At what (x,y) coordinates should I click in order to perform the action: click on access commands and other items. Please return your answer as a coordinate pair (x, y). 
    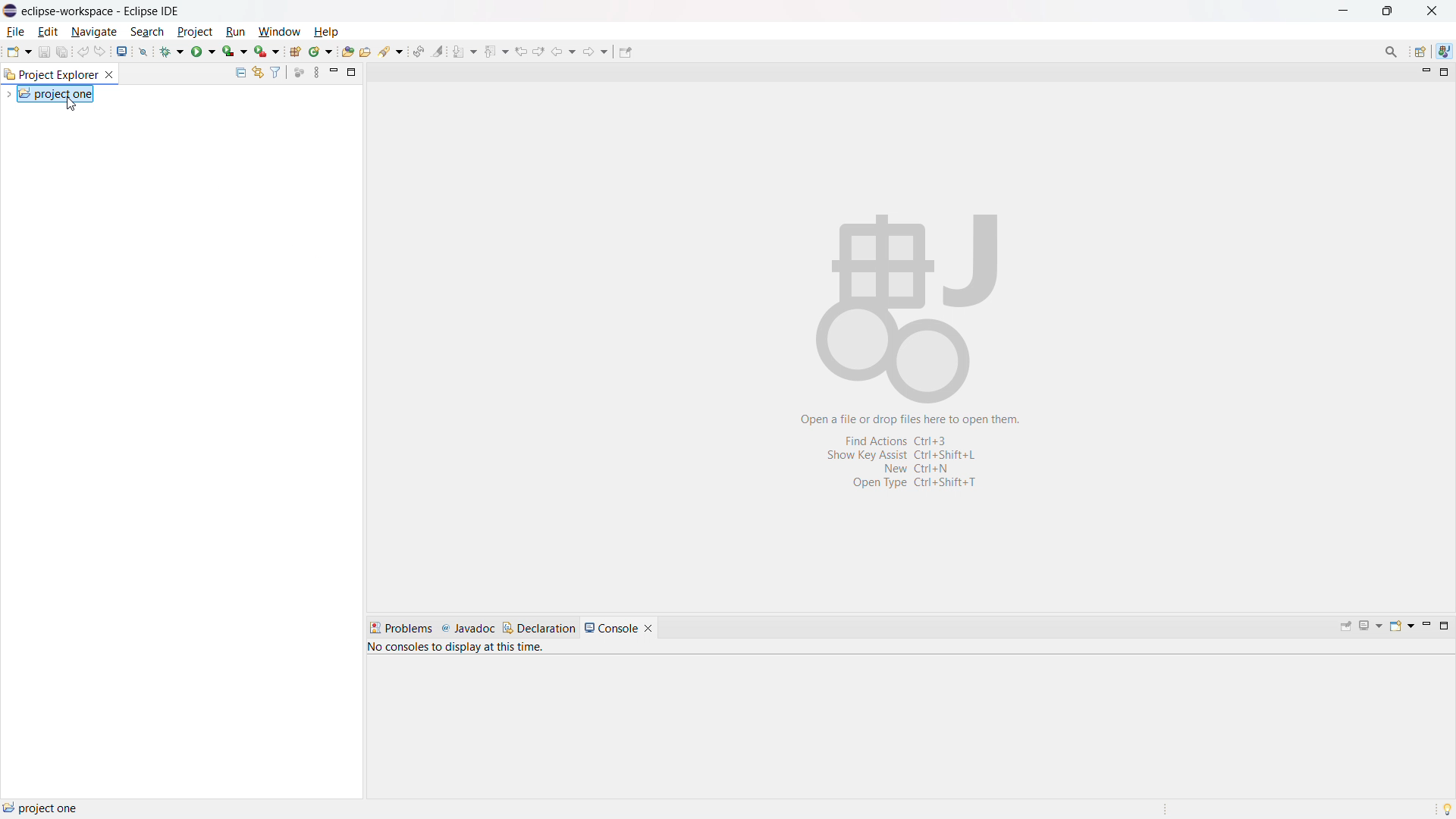
    Looking at the image, I should click on (1392, 51).